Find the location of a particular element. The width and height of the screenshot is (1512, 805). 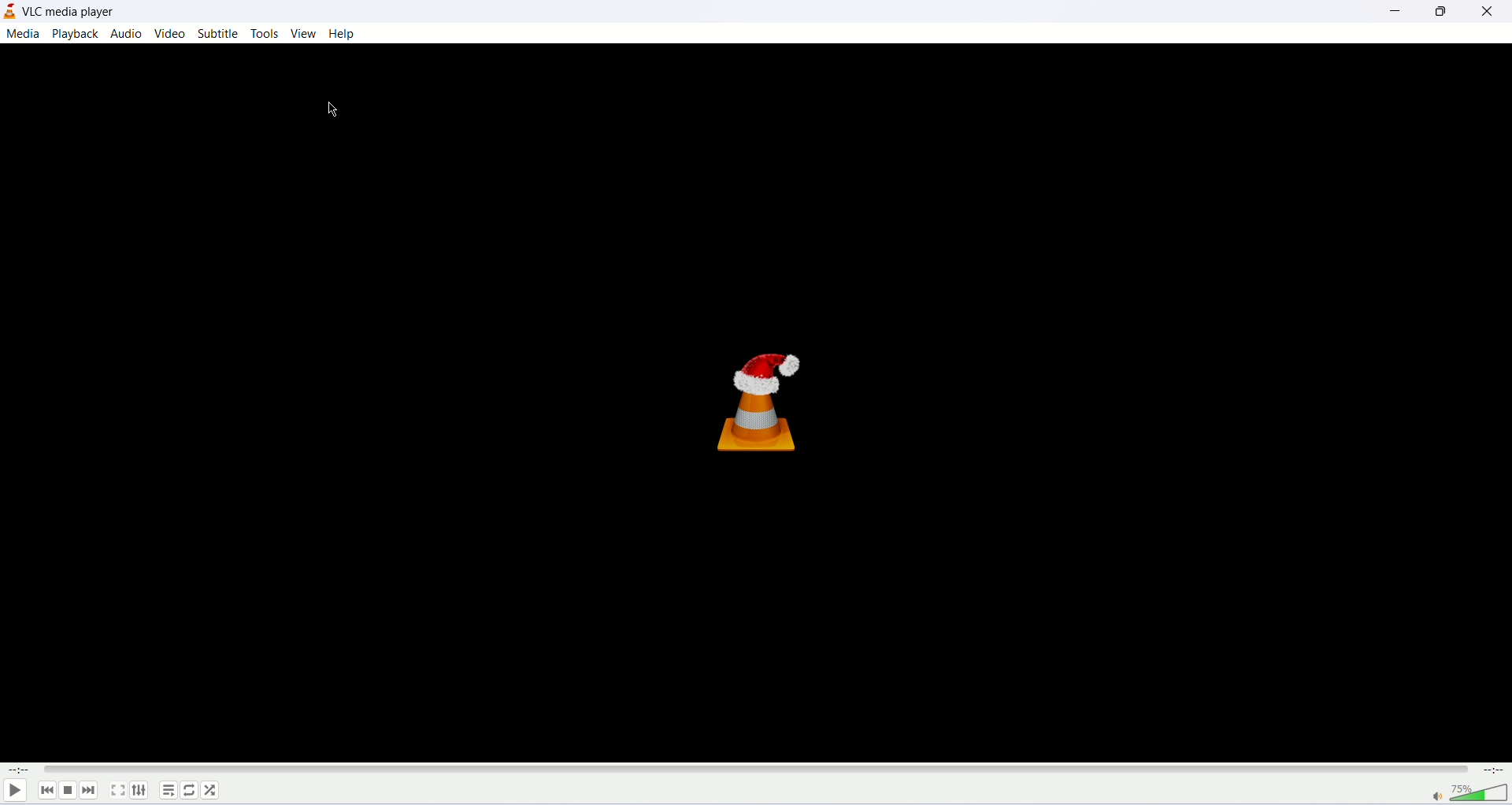

previous is located at coordinates (43, 790).